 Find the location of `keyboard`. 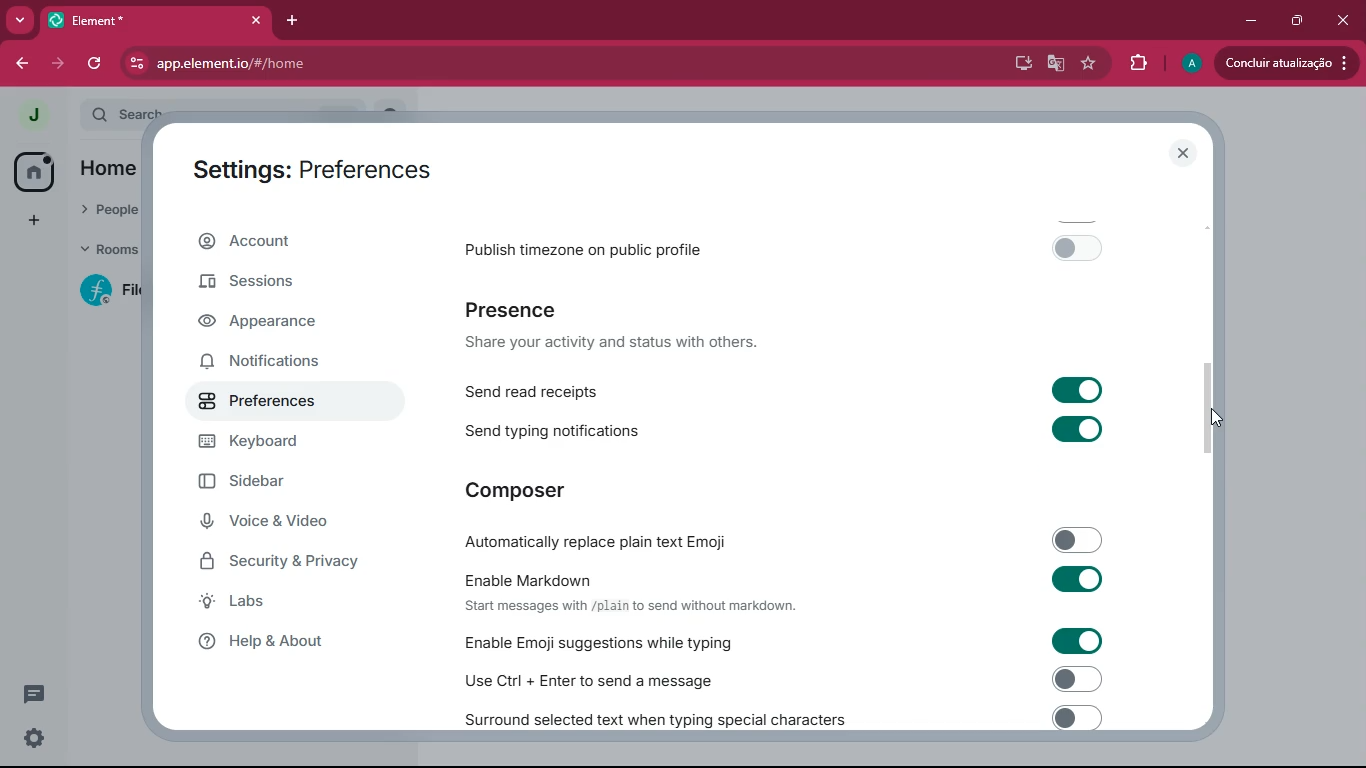

keyboard is located at coordinates (280, 447).